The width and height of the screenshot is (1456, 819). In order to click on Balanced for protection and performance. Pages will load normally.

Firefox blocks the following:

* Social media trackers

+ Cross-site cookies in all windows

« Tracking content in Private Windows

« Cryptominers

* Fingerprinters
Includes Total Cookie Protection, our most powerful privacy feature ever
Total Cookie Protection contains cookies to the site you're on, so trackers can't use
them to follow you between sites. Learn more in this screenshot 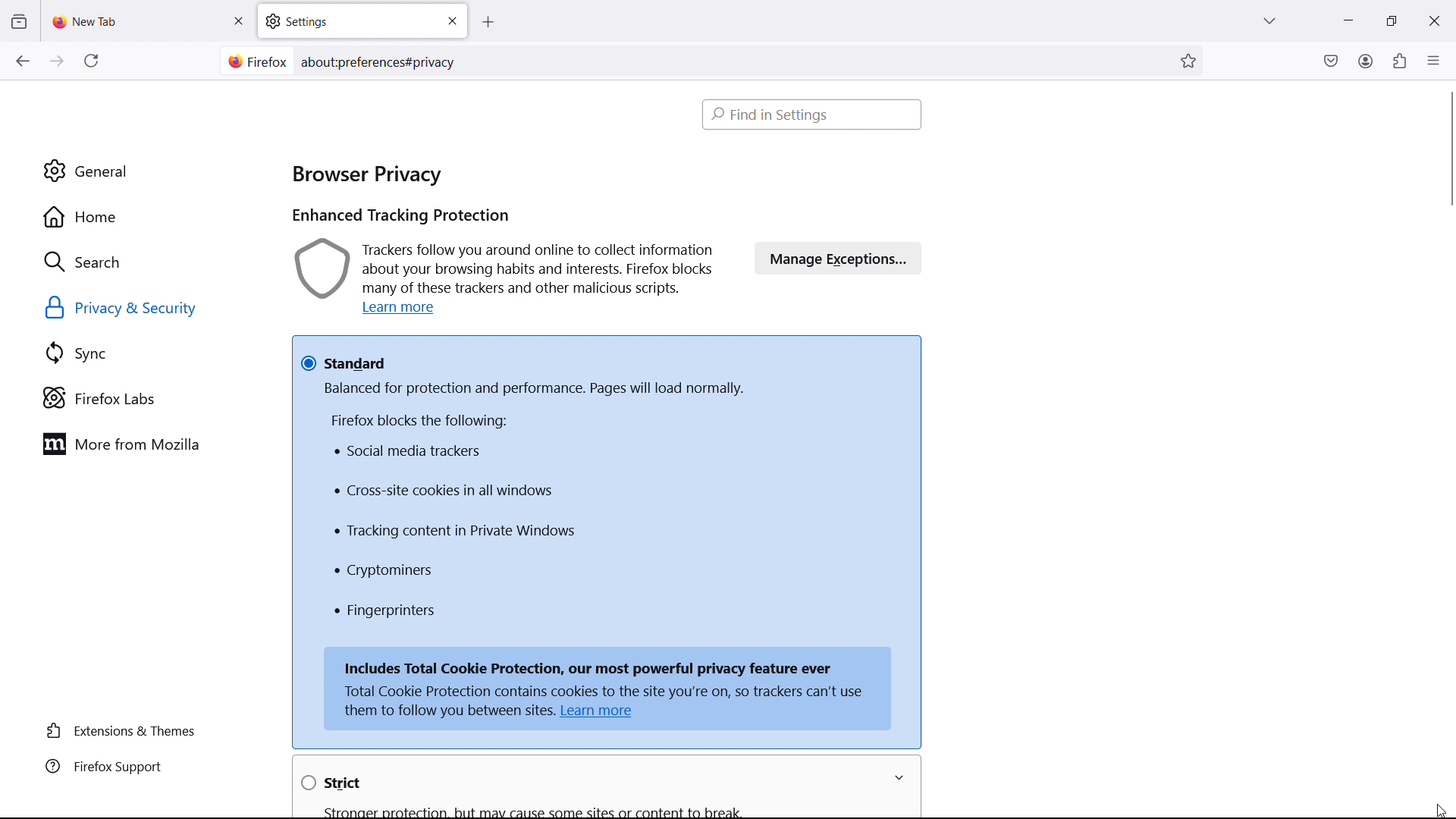, I will do `click(608, 557)`.